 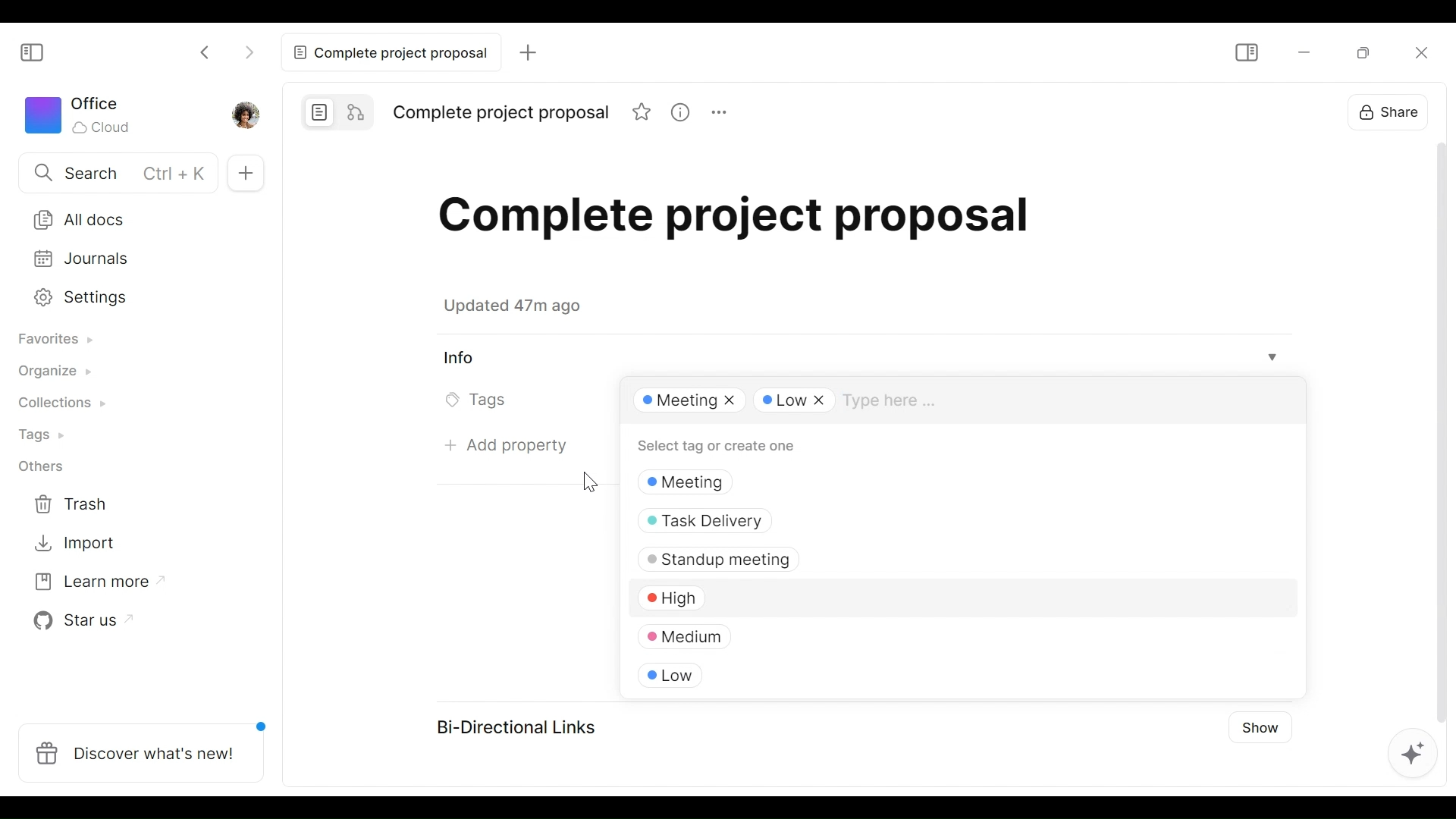 What do you see at coordinates (209, 50) in the screenshot?
I see `Click to go back` at bounding box center [209, 50].